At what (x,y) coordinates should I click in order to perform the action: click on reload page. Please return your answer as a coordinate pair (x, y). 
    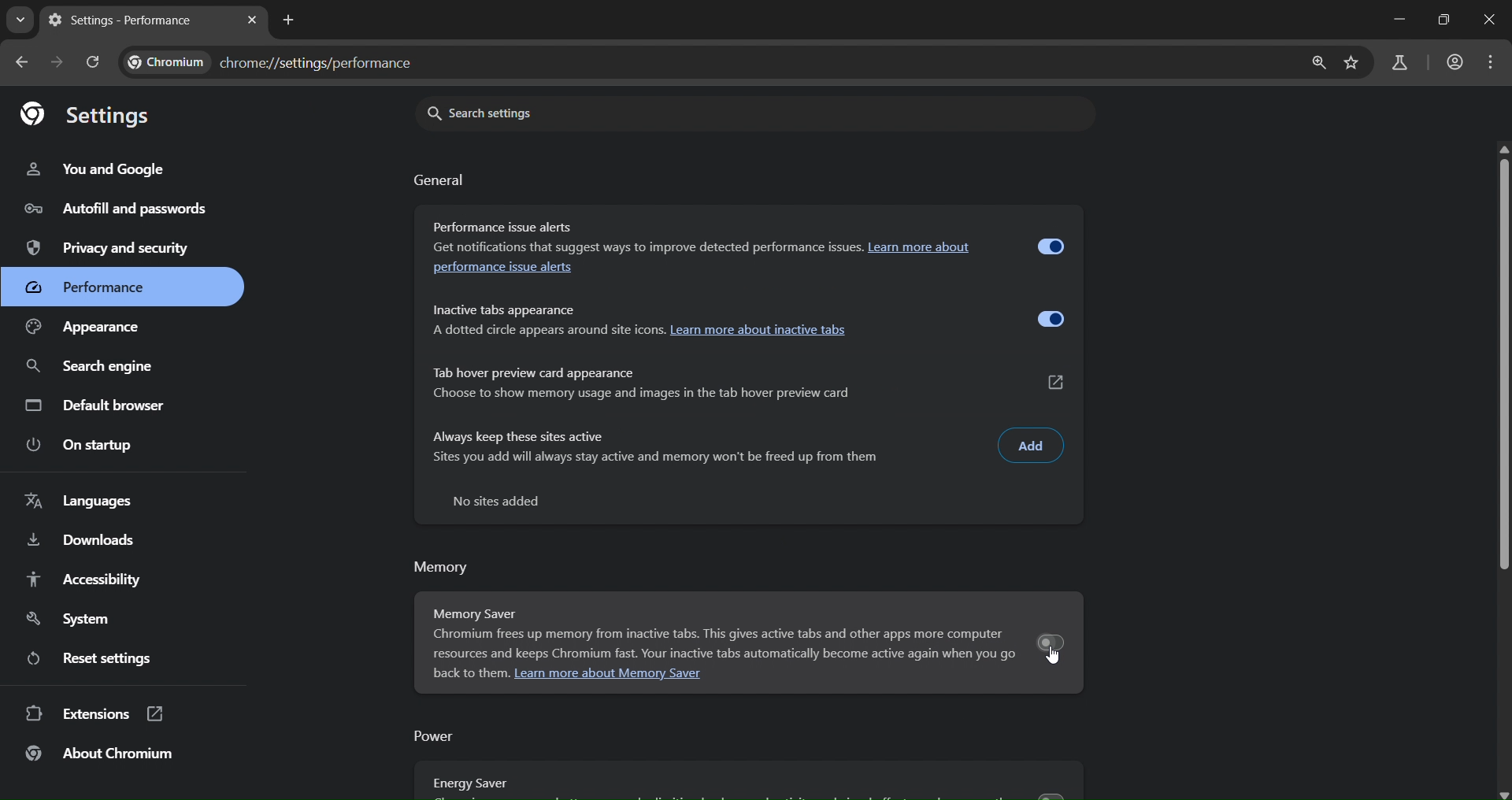
    Looking at the image, I should click on (94, 64).